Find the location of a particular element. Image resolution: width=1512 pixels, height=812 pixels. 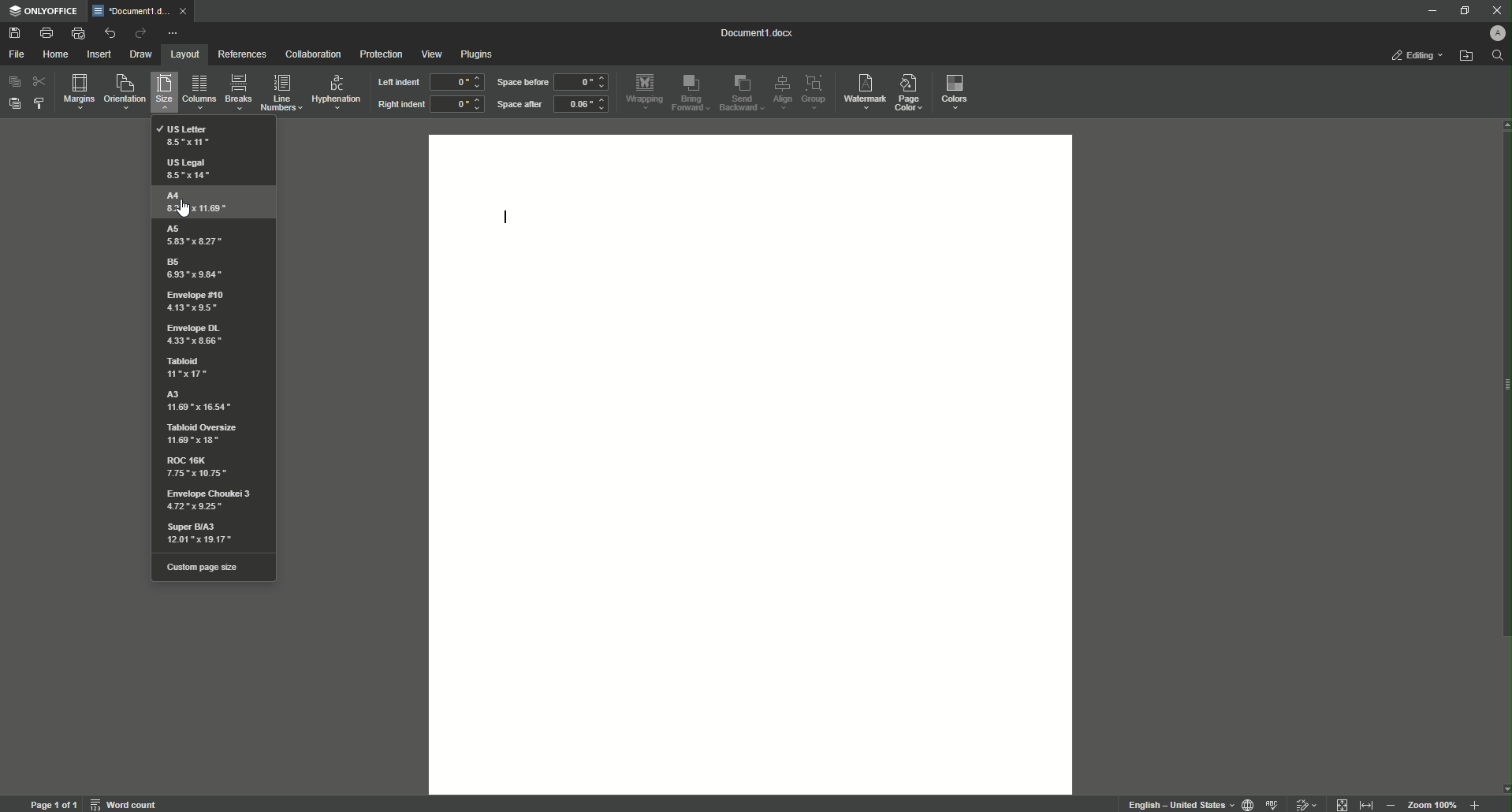

Copy is located at coordinates (13, 81).